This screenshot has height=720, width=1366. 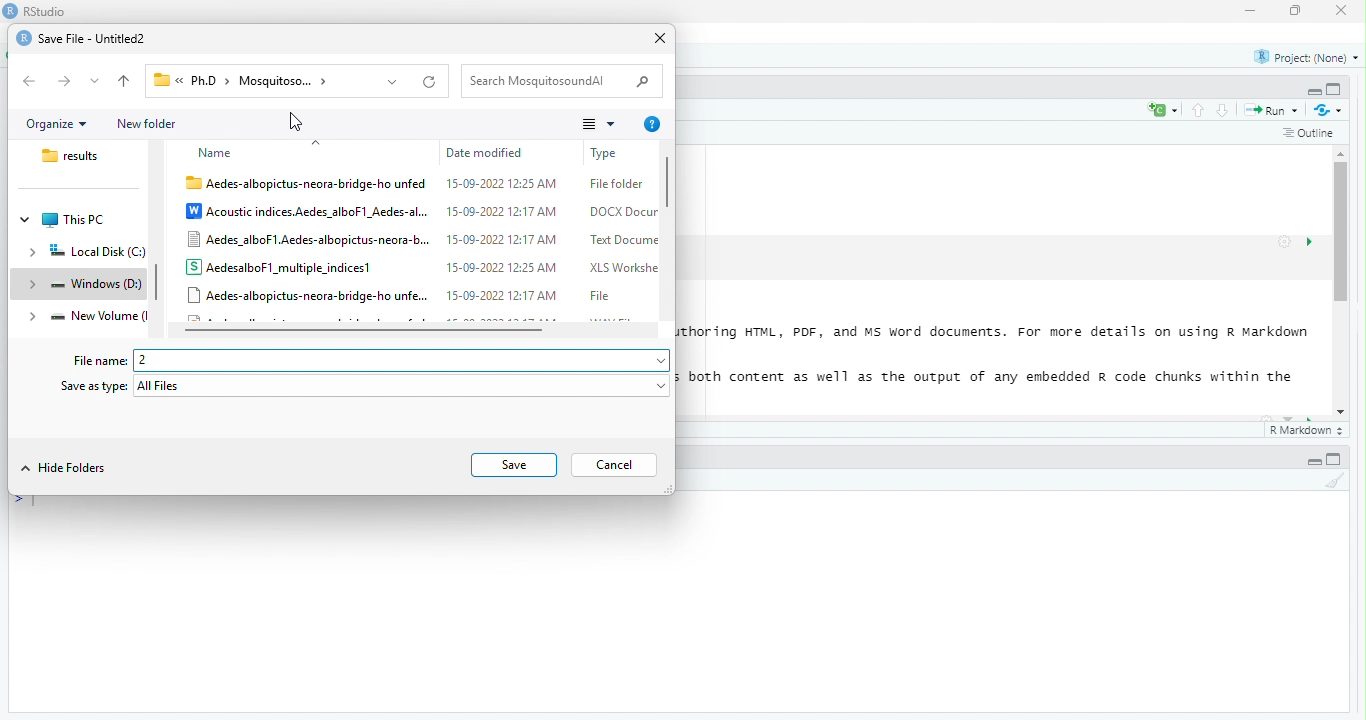 What do you see at coordinates (95, 284) in the screenshot?
I see `Windows (D:)` at bounding box center [95, 284].